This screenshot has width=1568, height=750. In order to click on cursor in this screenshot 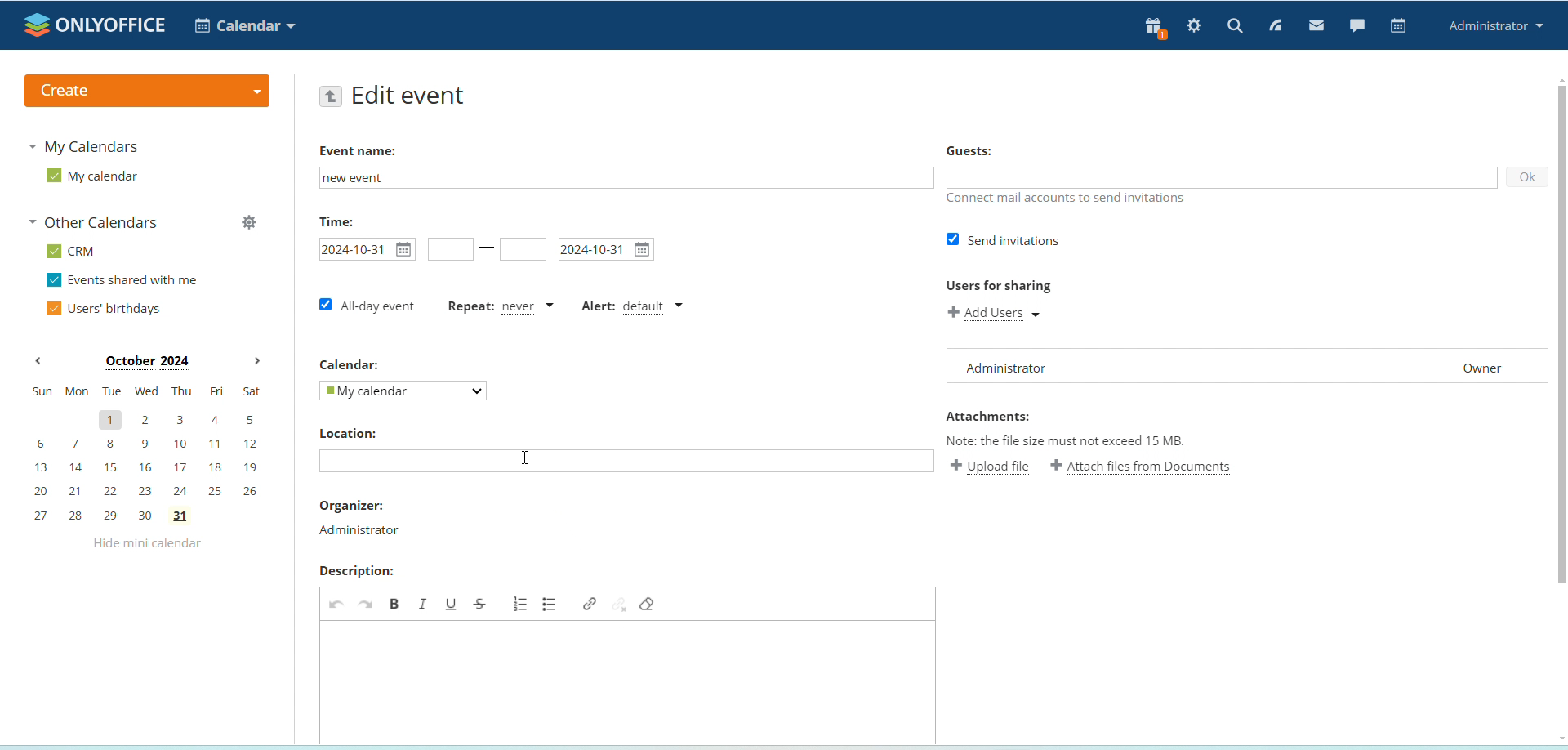, I will do `click(524, 457)`.